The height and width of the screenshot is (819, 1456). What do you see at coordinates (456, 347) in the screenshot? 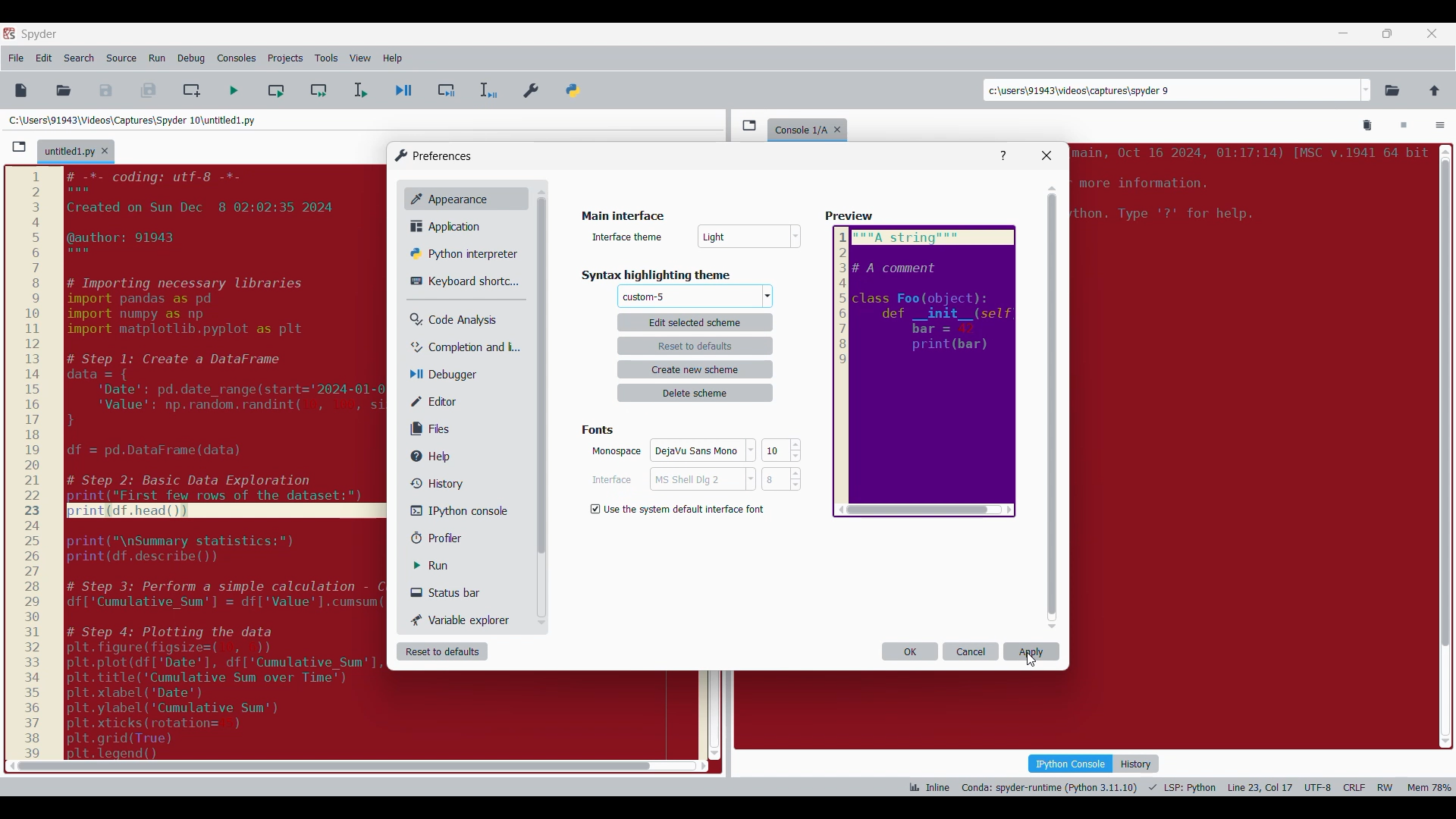
I see `Completion and linting` at bounding box center [456, 347].